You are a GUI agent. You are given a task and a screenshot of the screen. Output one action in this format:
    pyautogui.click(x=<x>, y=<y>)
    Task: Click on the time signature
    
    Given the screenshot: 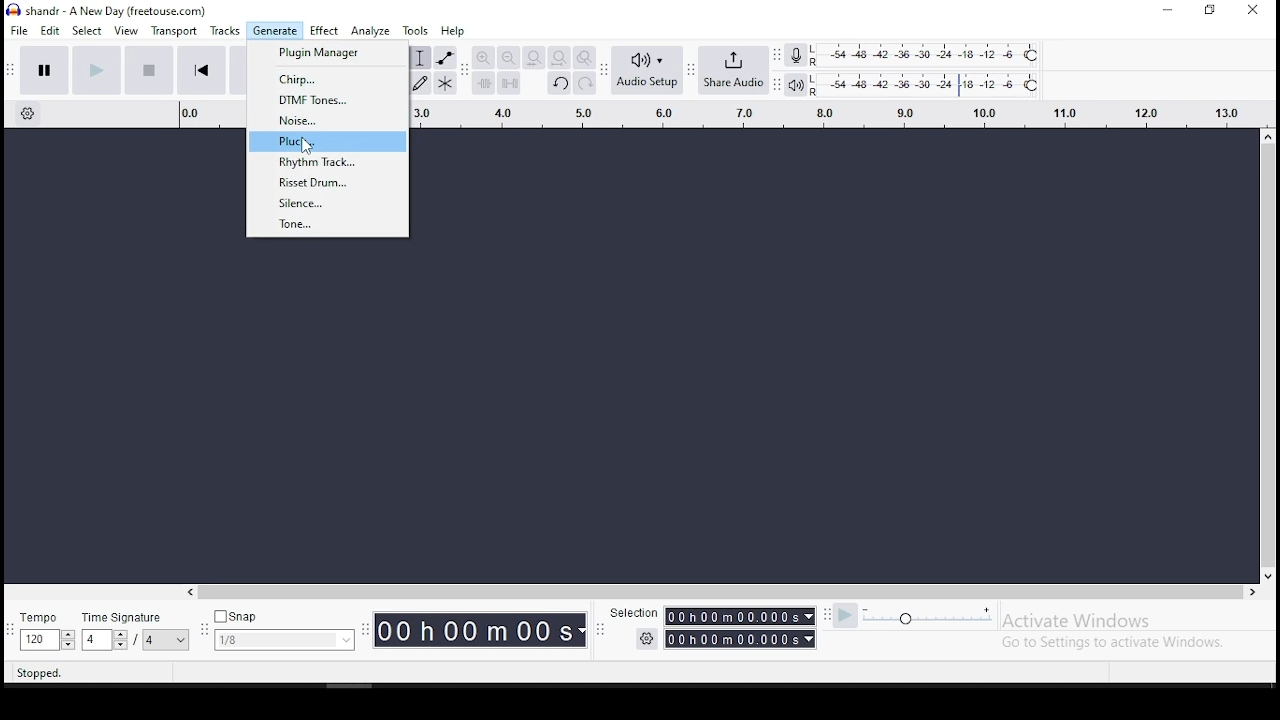 What is the action you would take?
    pyautogui.click(x=284, y=628)
    